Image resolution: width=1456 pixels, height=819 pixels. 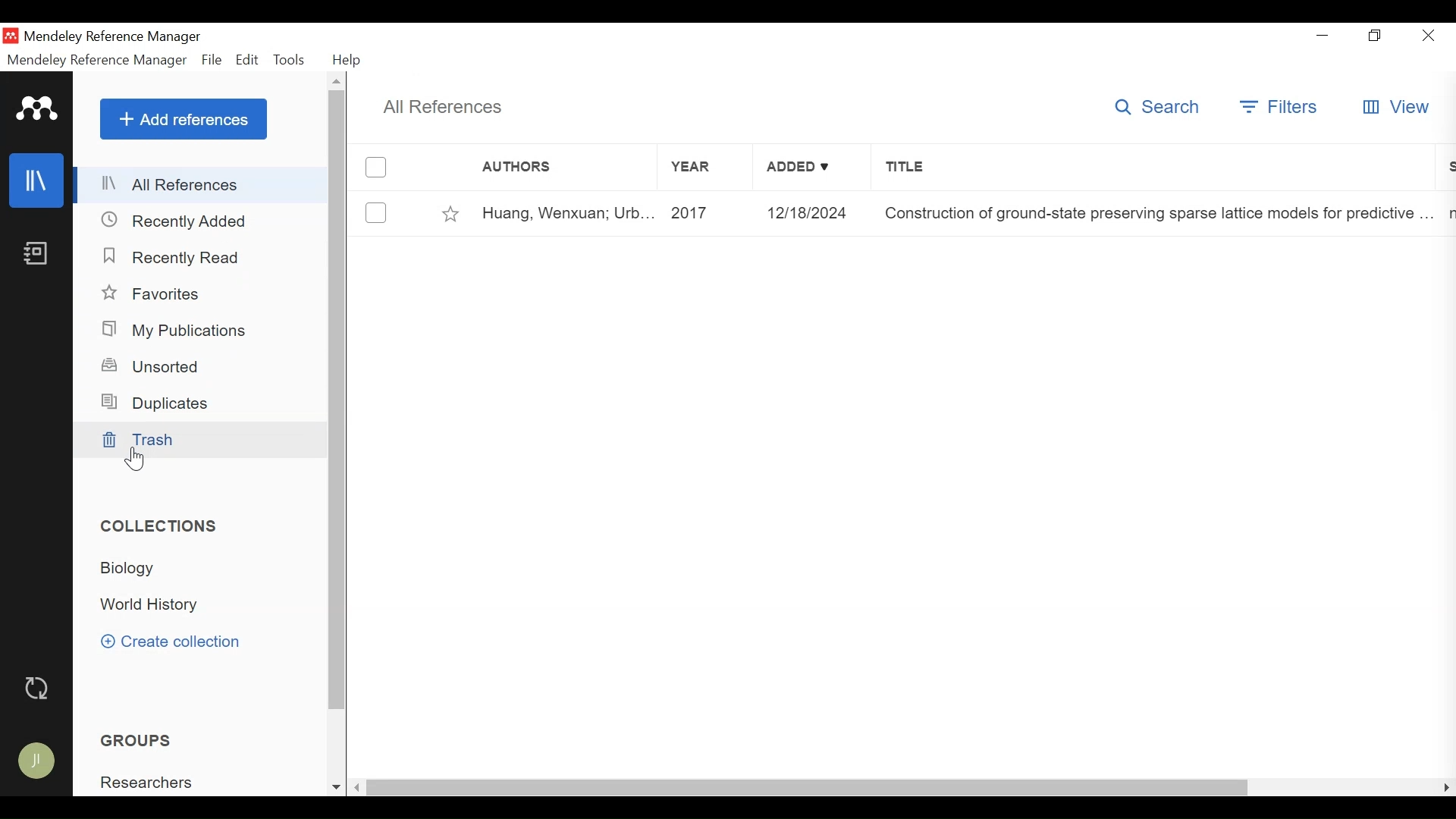 What do you see at coordinates (448, 107) in the screenshot?
I see `All References` at bounding box center [448, 107].